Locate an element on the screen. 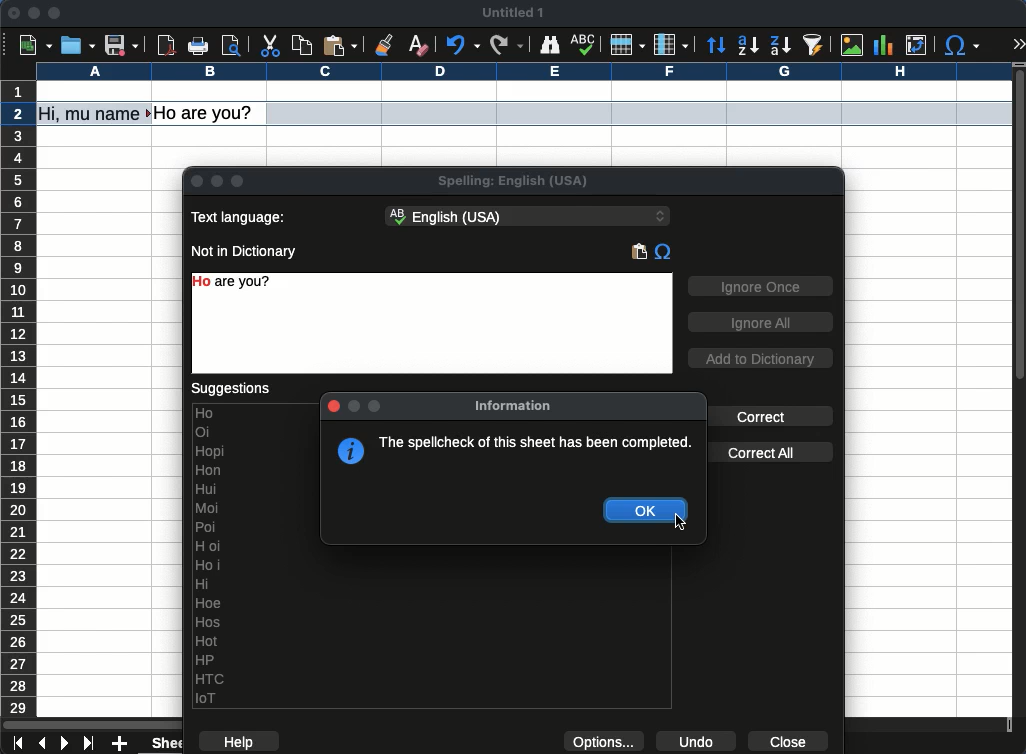 The height and width of the screenshot is (754, 1026). descending is located at coordinates (780, 45).